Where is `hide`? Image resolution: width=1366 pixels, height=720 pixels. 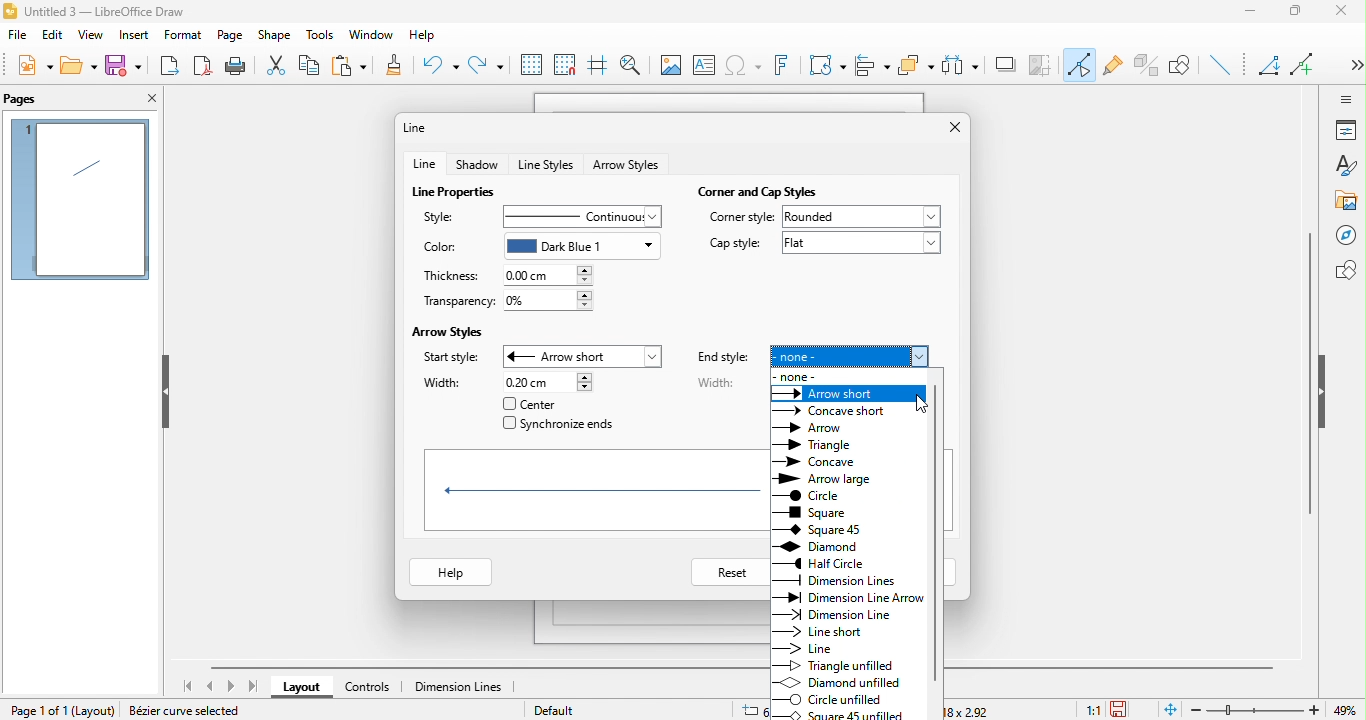
hide is located at coordinates (1325, 392).